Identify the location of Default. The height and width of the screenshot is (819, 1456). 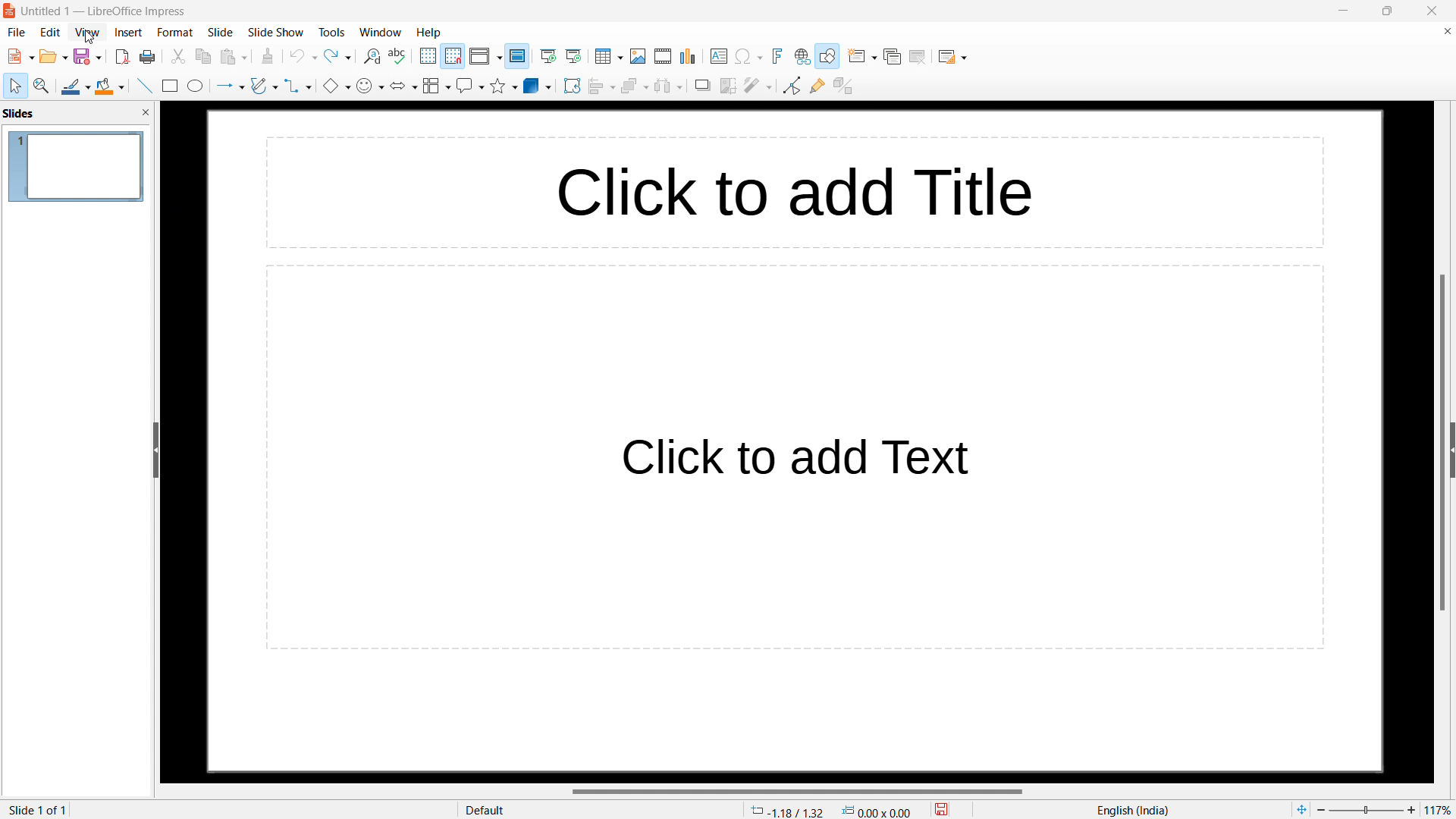
(487, 810).